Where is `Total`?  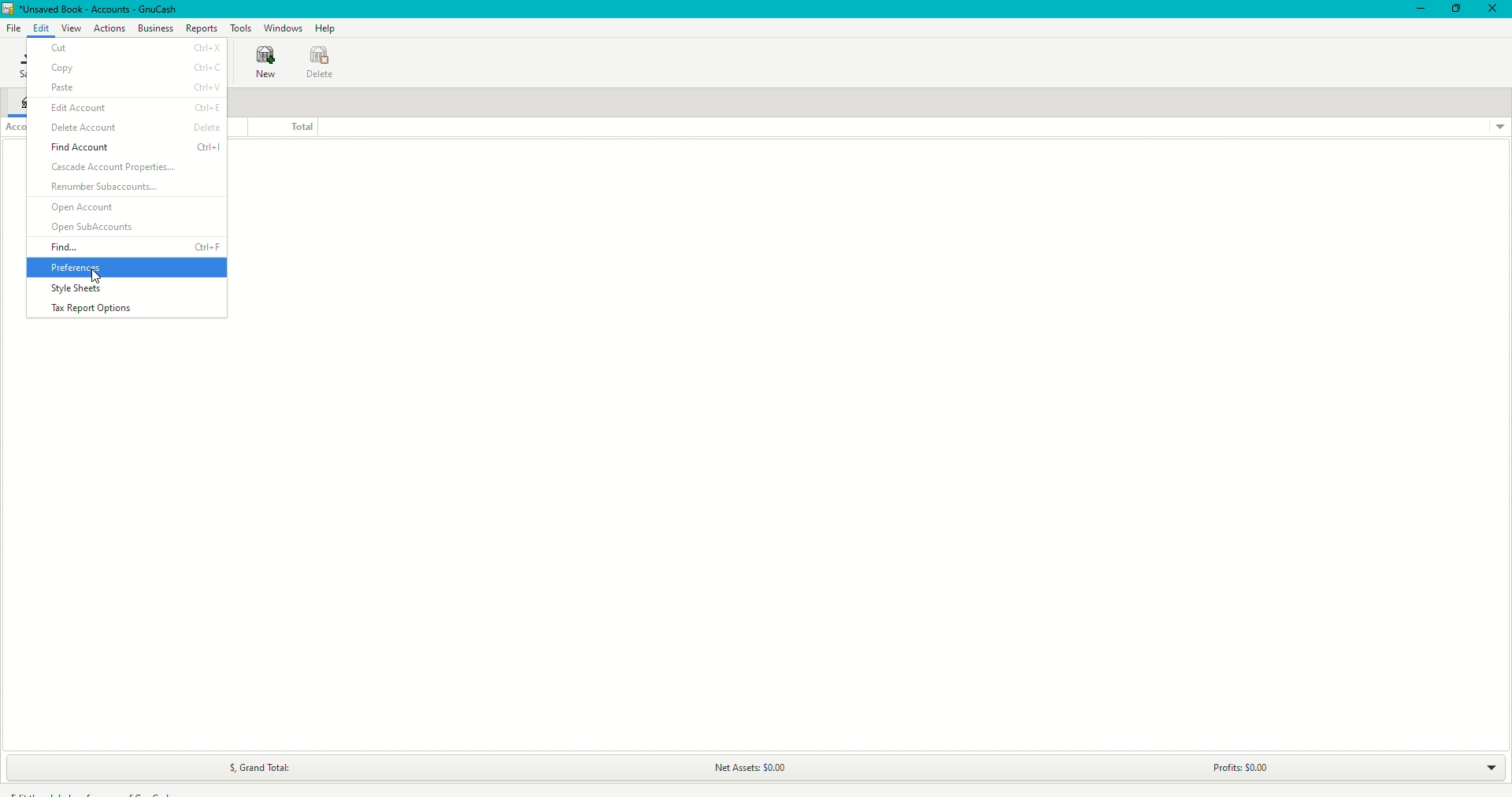 Total is located at coordinates (279, 126).